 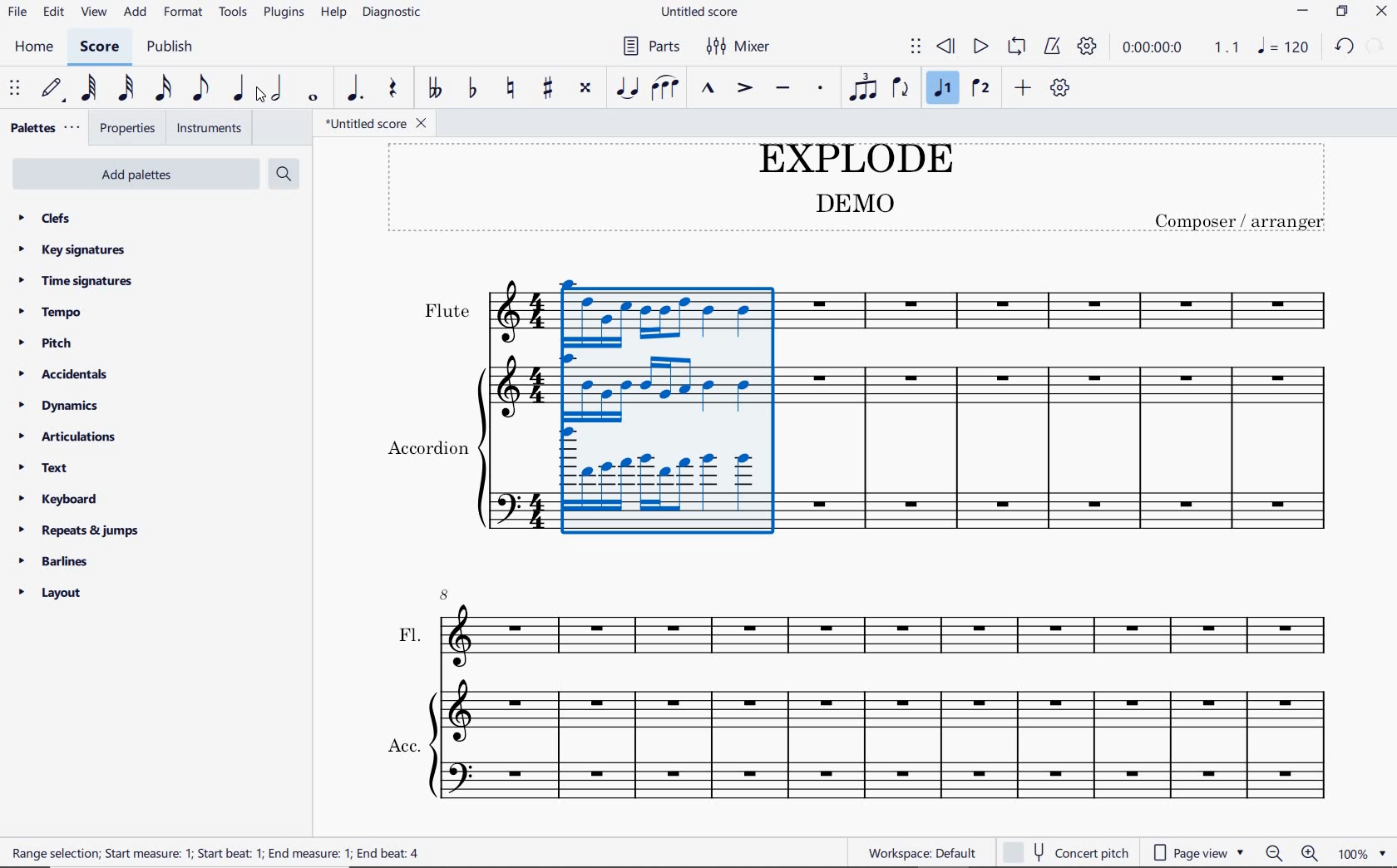 I want to click on file name, so click(x=700, y=13).